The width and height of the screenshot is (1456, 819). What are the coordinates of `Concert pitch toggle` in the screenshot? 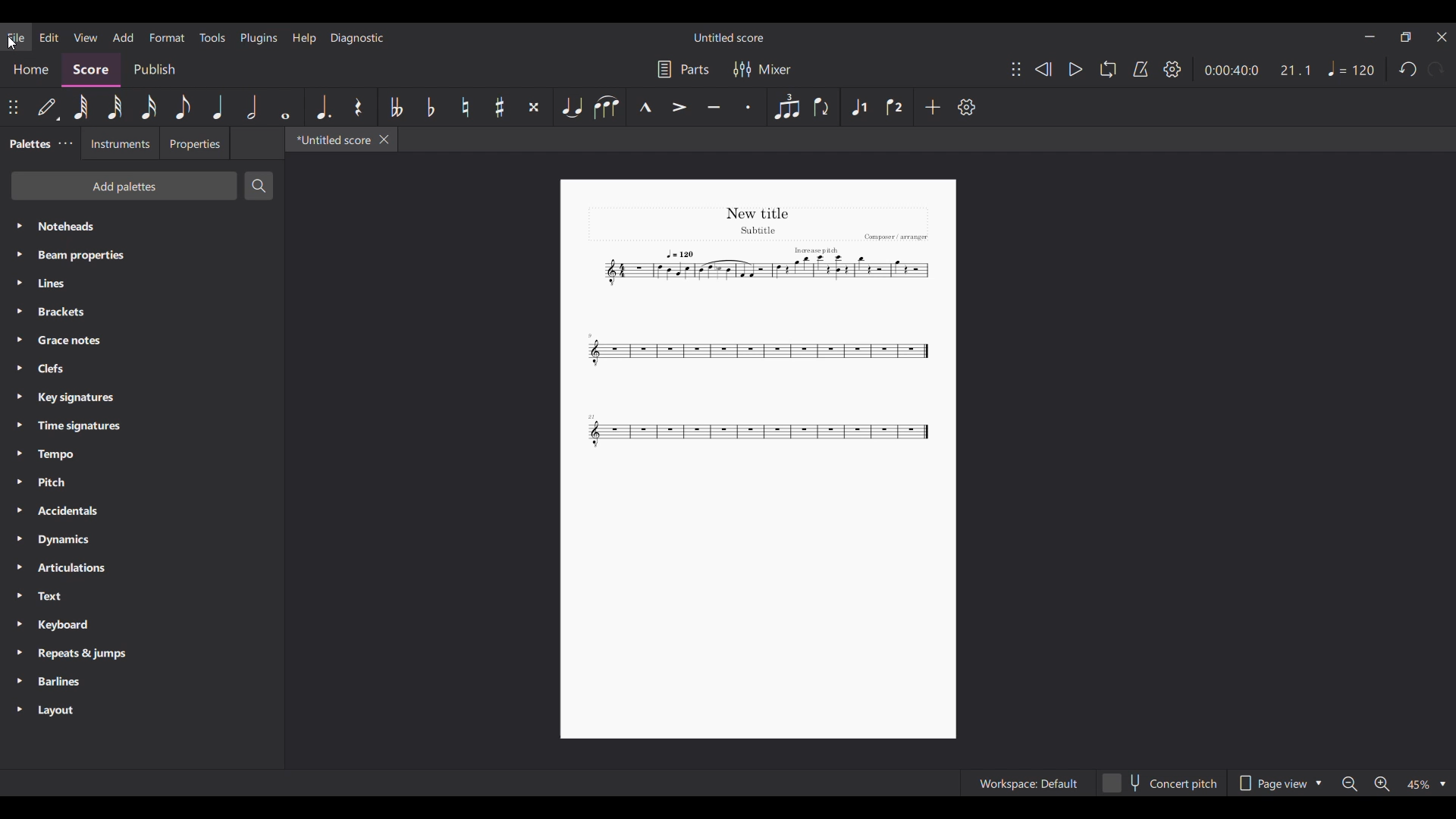 It's located at (1159, 783).